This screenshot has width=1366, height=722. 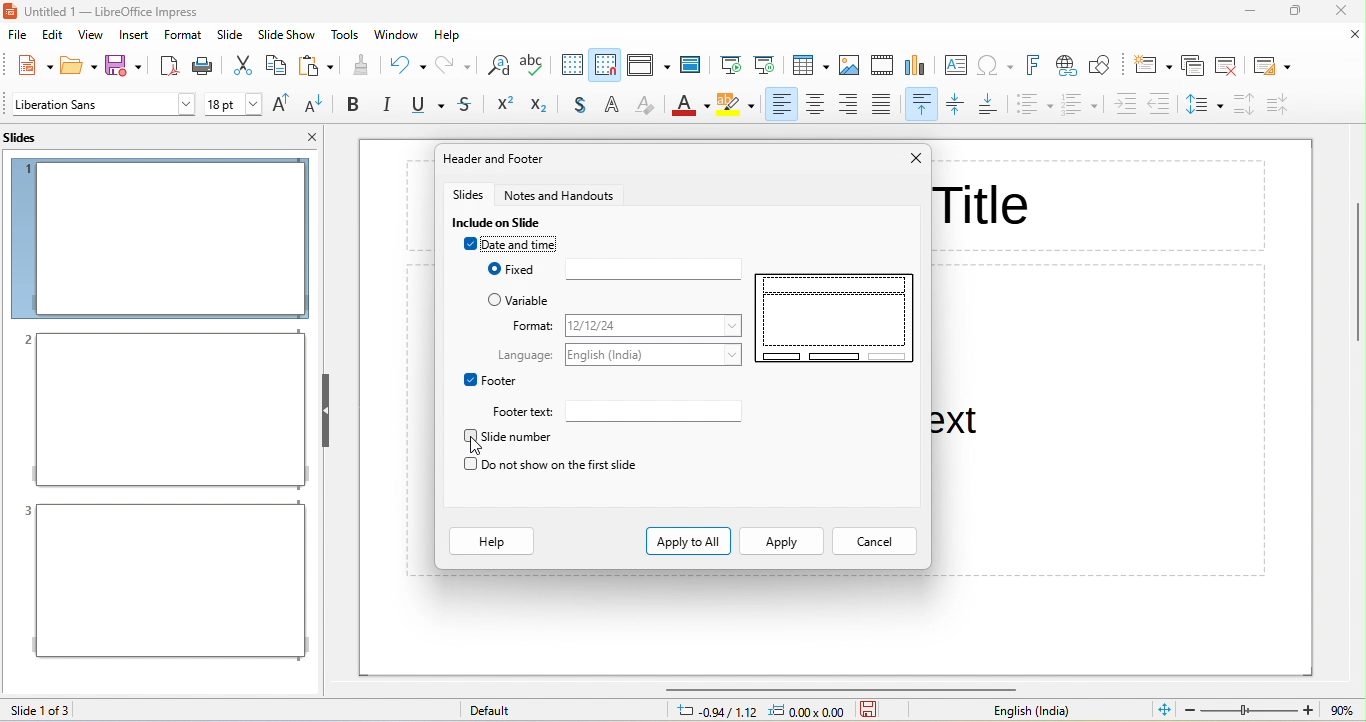 I want to click on slide show, so click(x=287, y=35).